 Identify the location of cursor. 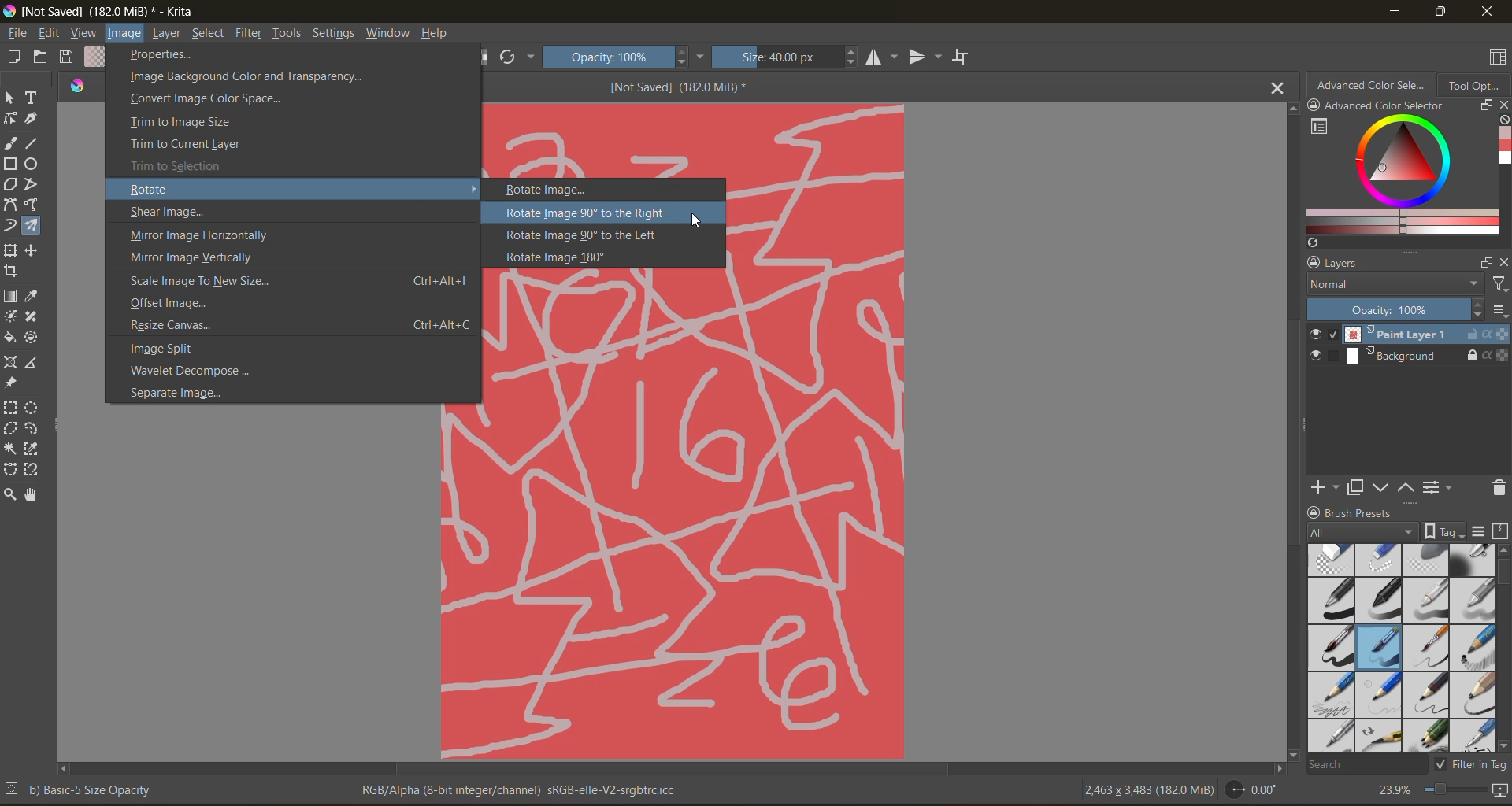
(702, 224).